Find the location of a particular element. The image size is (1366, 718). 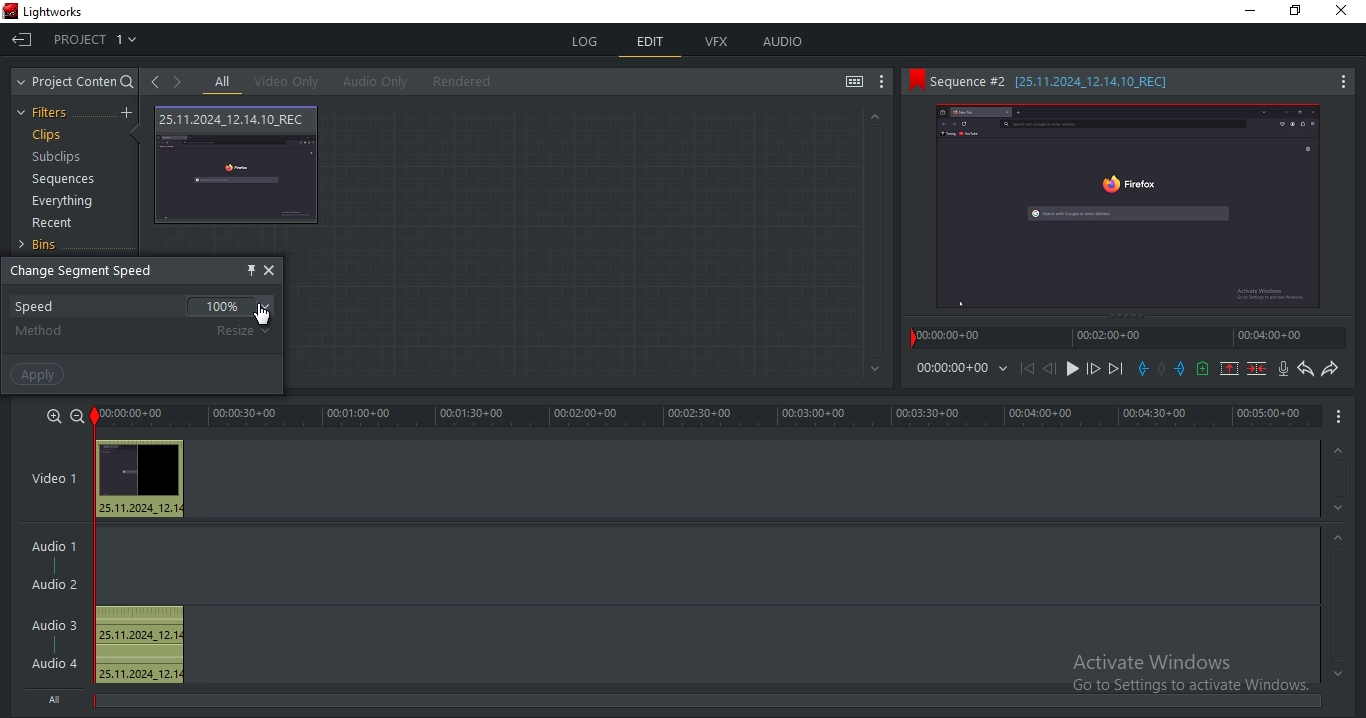

change segment speed  is located at coordinates (87, 271).